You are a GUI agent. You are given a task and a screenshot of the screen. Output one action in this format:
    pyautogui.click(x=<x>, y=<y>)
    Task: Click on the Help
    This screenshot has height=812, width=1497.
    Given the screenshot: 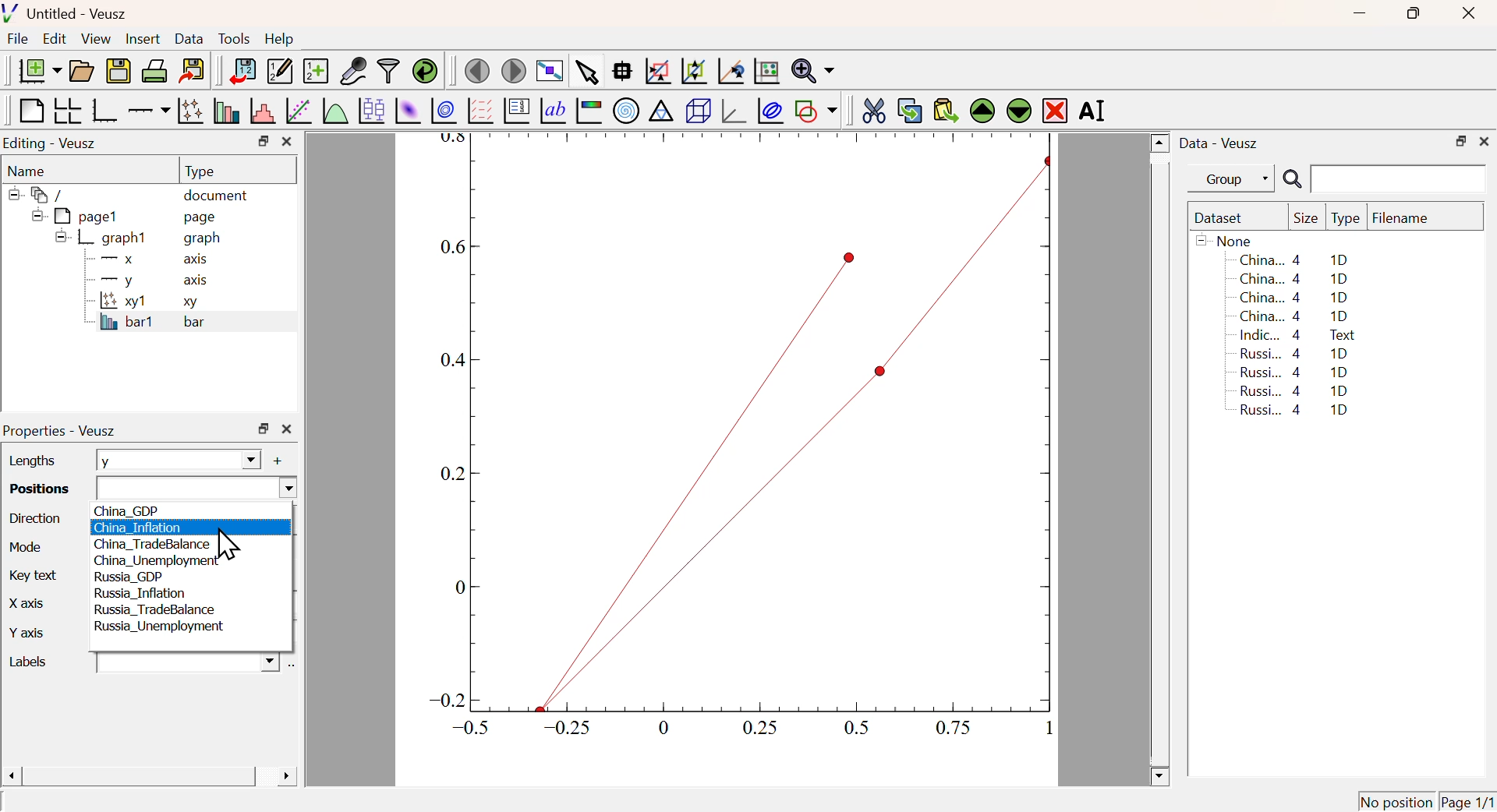 What is the action you would take?
    pyautogui.click(x=280, y=39)
    